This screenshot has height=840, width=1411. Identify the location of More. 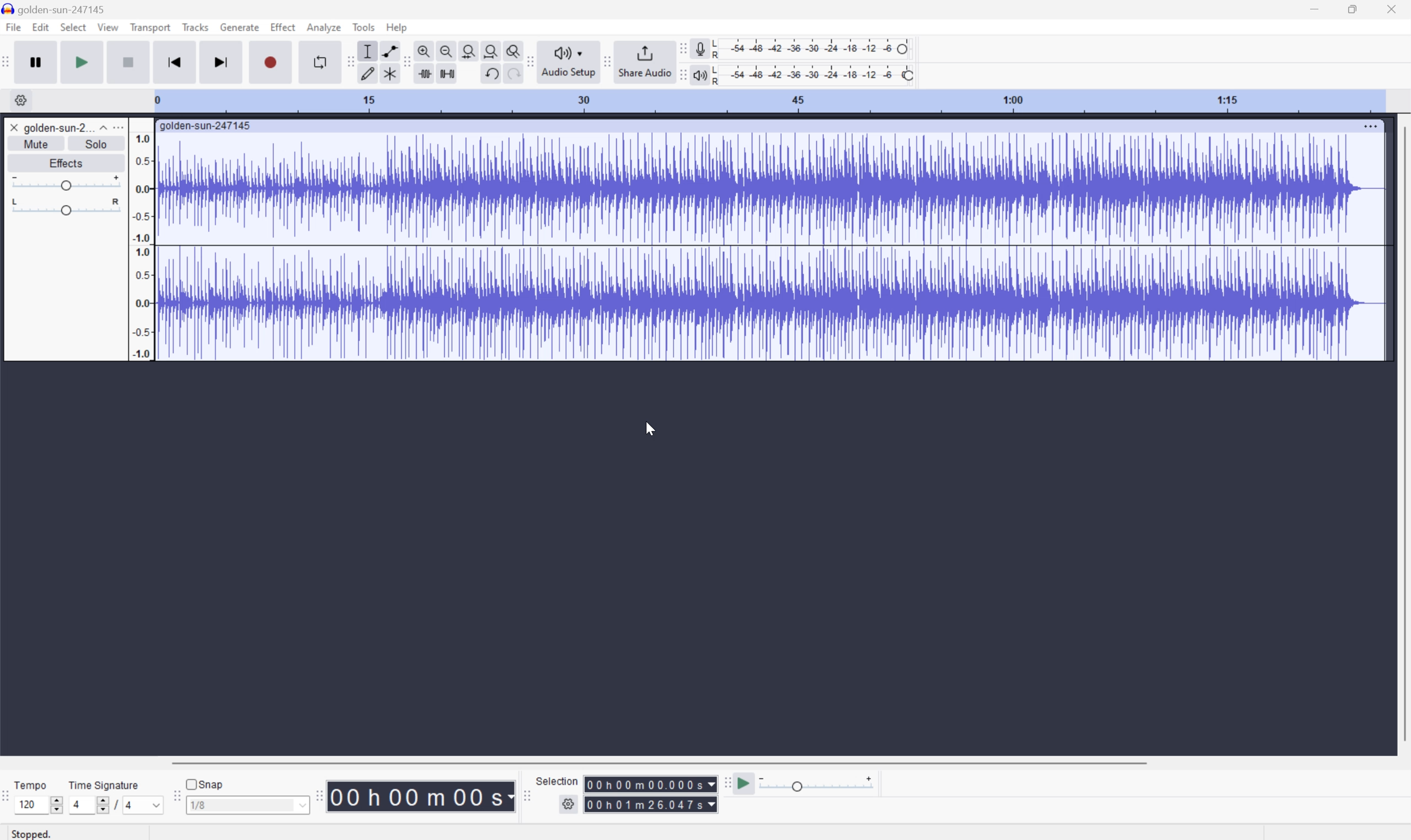
(1370, 126).